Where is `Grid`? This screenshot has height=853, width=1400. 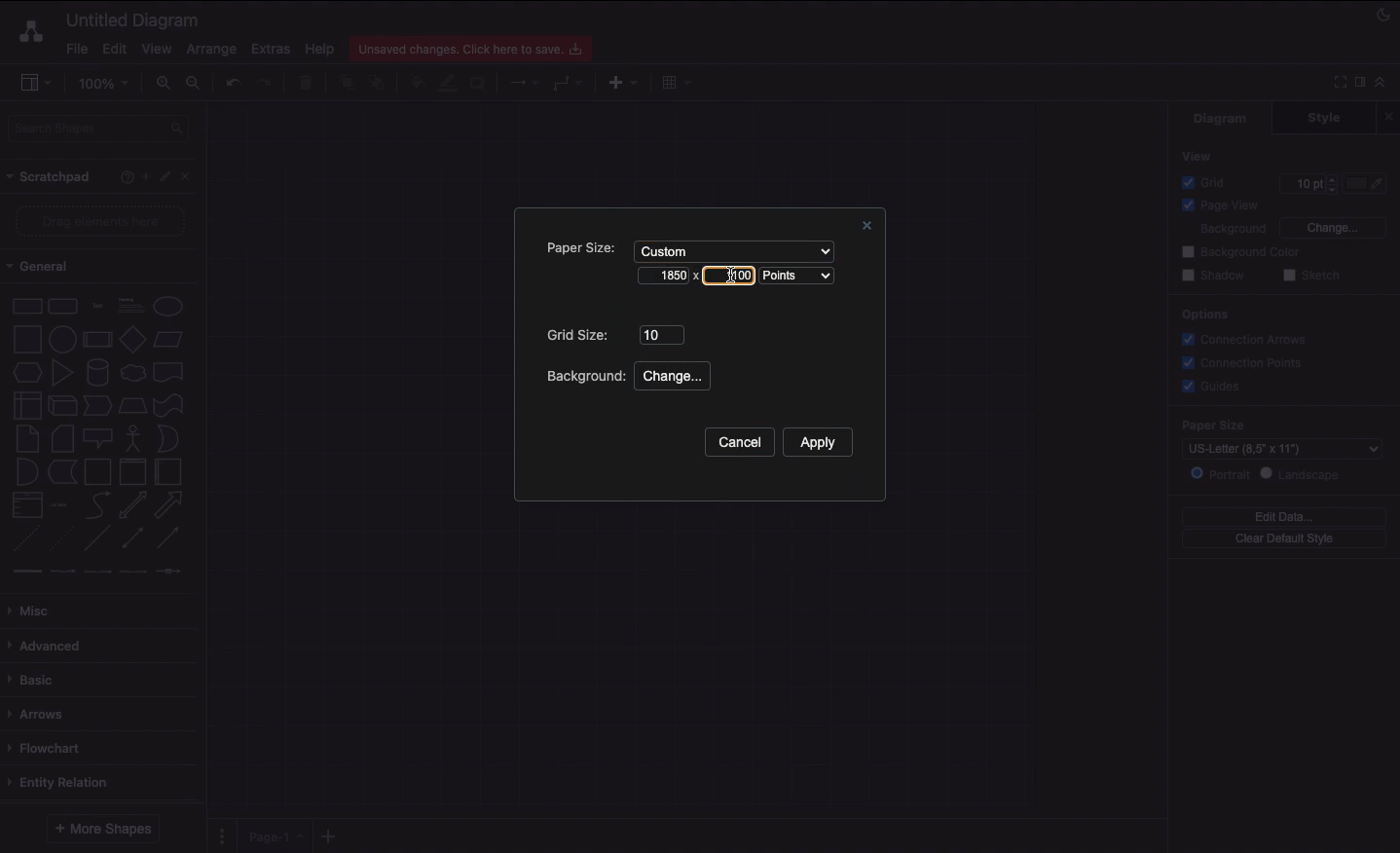 Grid is located at coordinates (1208, 182).